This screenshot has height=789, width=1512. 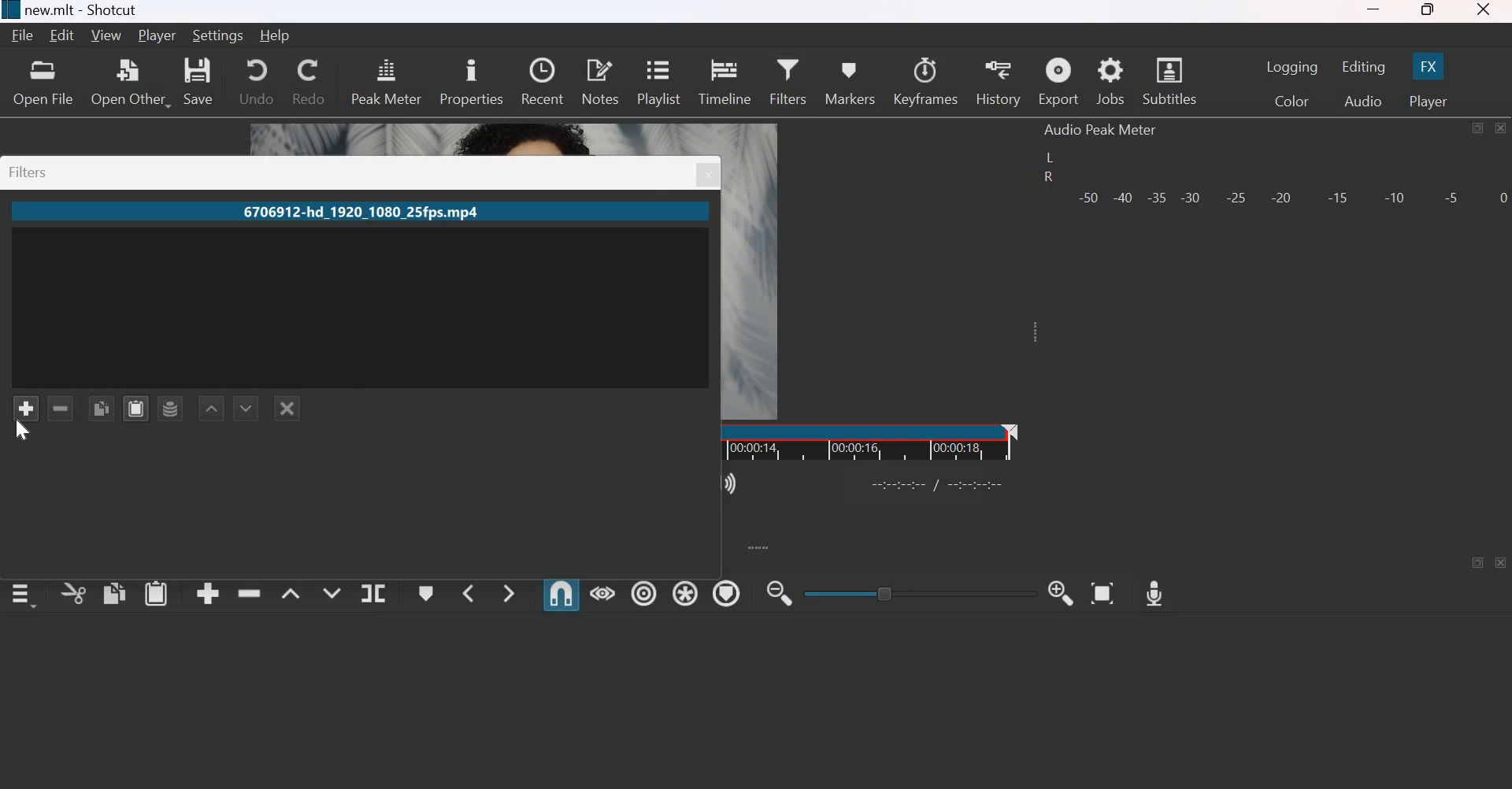 I want to click on File, so click(x=25, y=35).